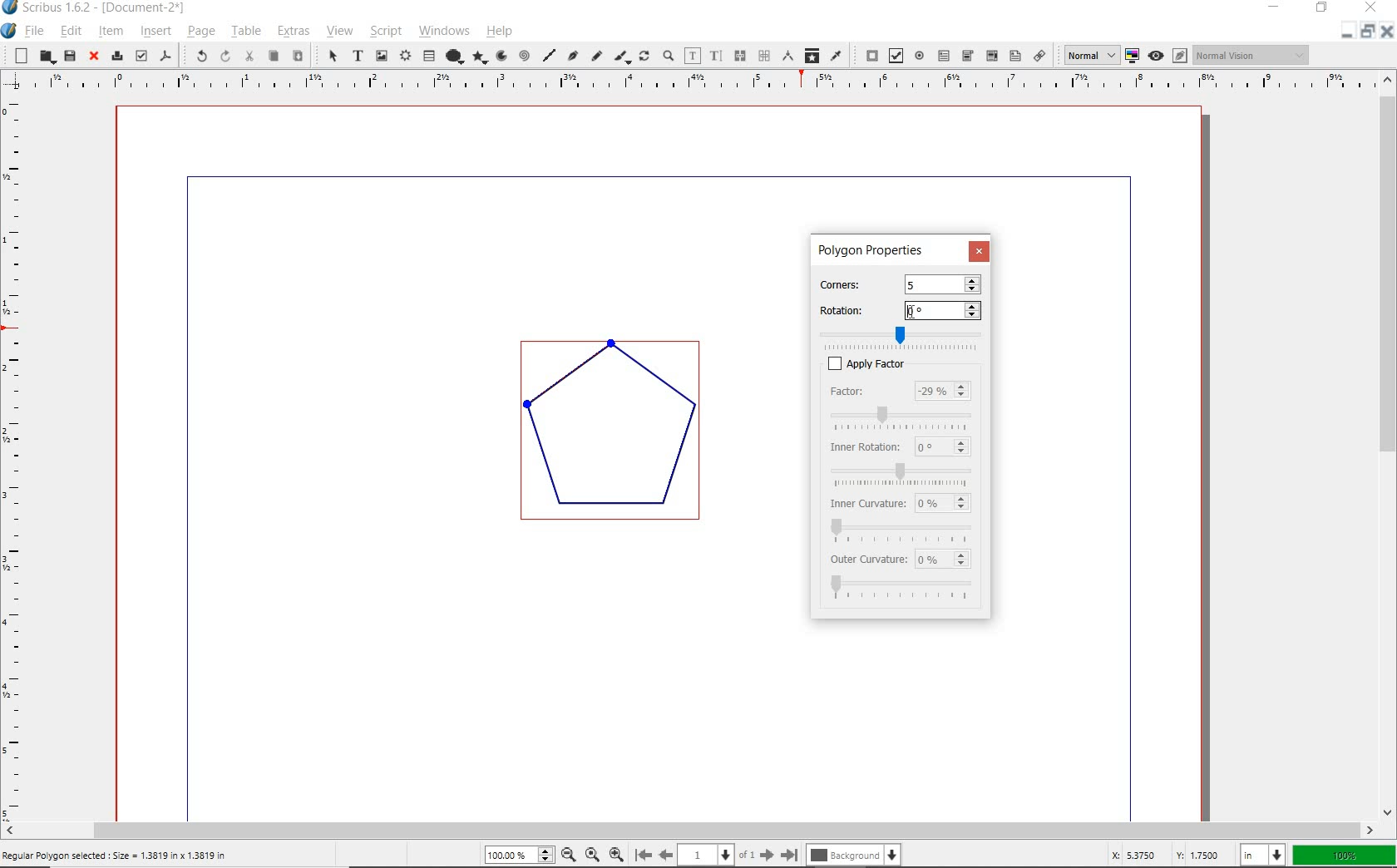  What do you see at coordinates (837, 55) in the screenshot?
I see `eye dropper` at bounding box center [837, 55].